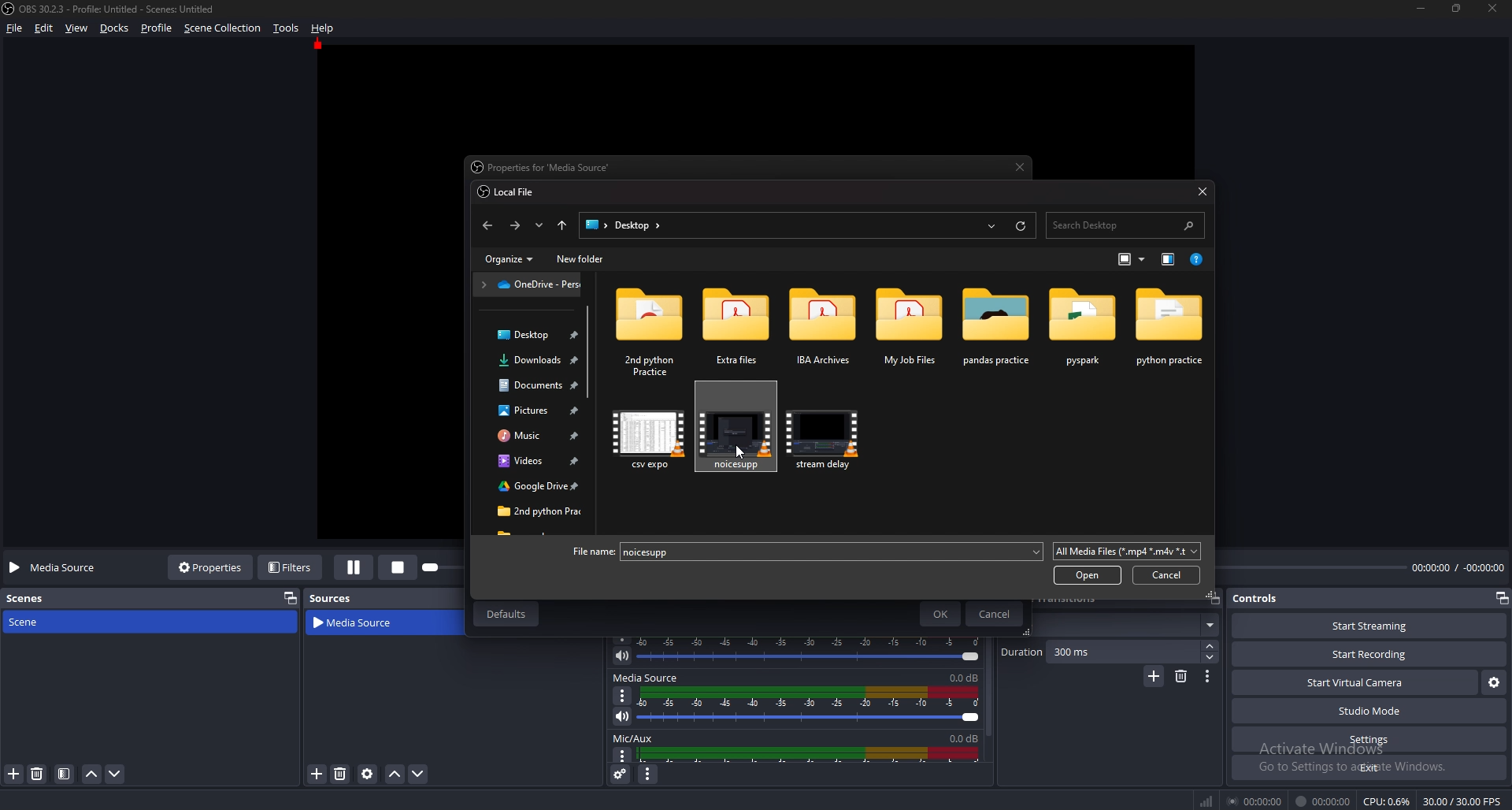 This screenshot has width=1512, height=810. Describe the element at coordinates (563, 226) in the screenshot. I see `upto desktop` at that location.